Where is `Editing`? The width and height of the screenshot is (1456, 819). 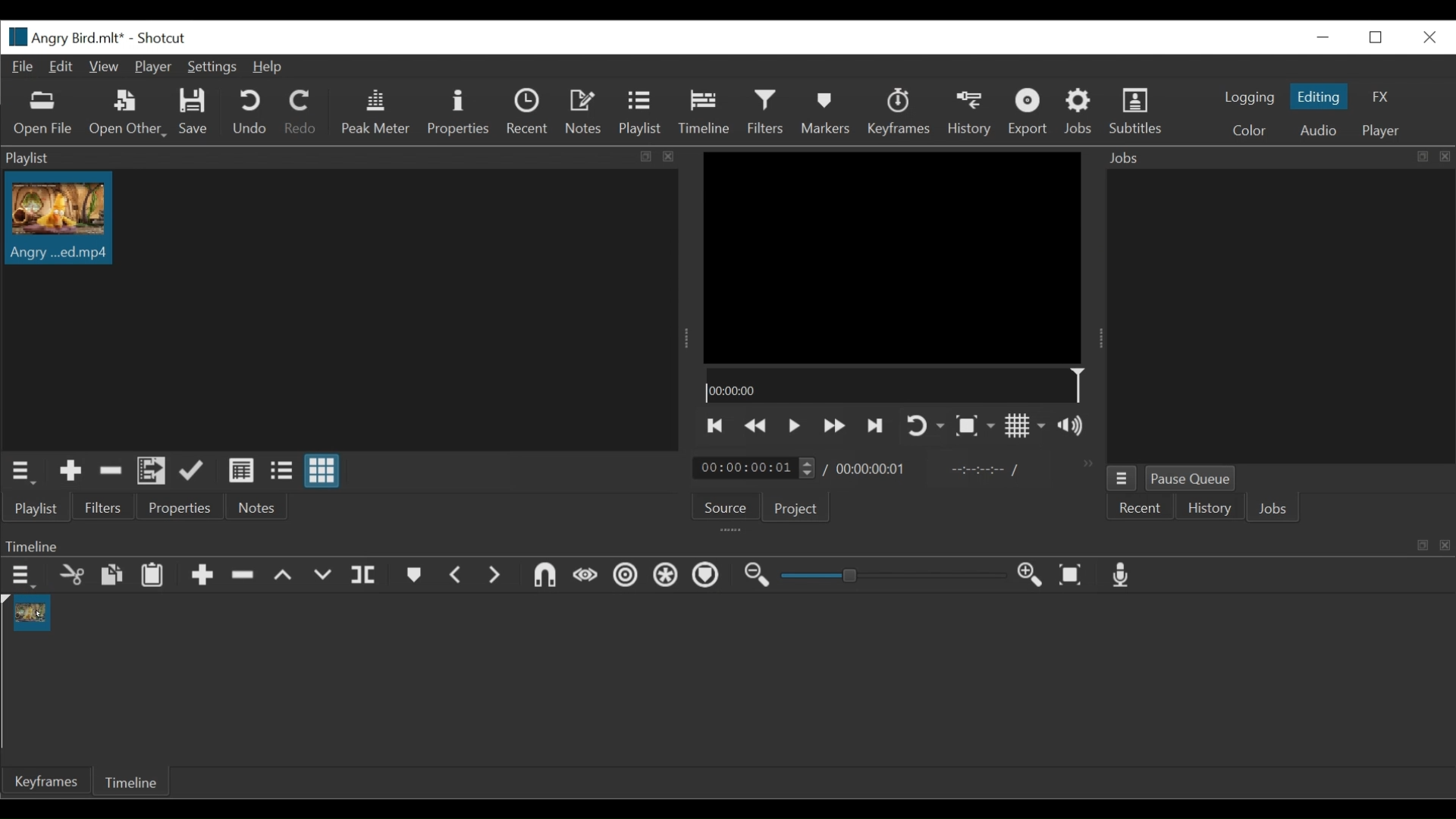 Editing is located at coordinates (1319, 96).